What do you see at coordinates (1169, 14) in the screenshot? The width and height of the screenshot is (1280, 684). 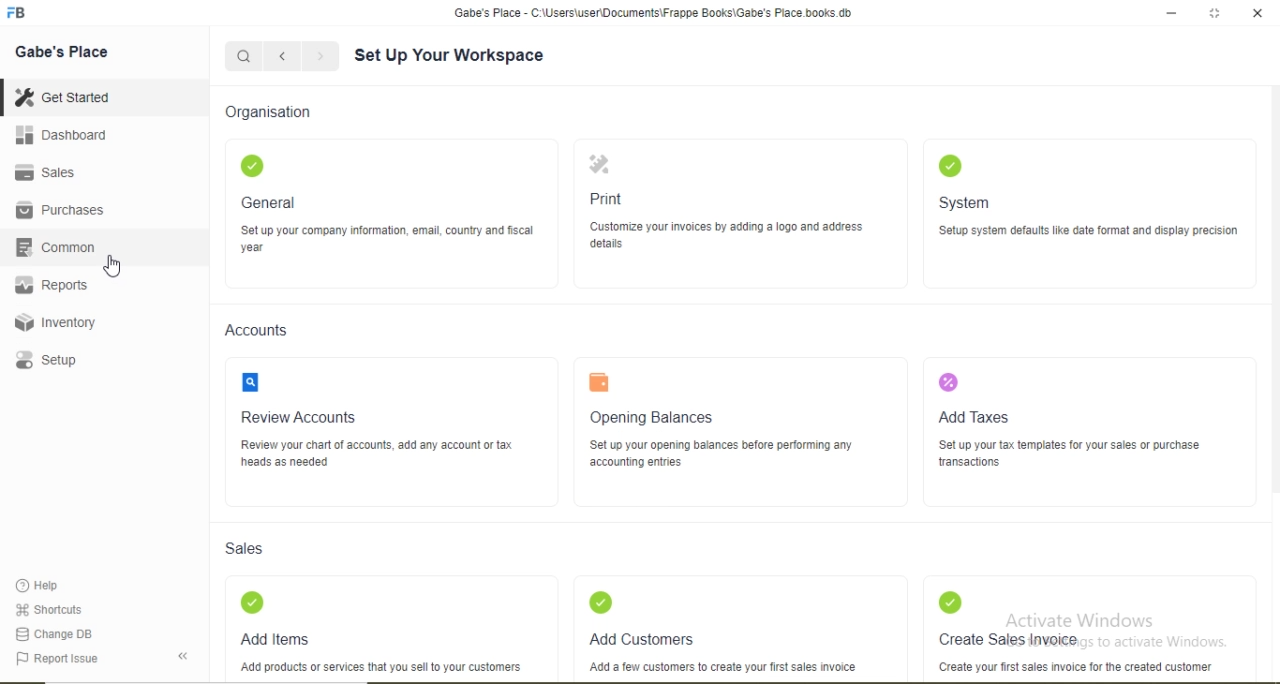 I see `minimize` at bounding box center [1169, 14].